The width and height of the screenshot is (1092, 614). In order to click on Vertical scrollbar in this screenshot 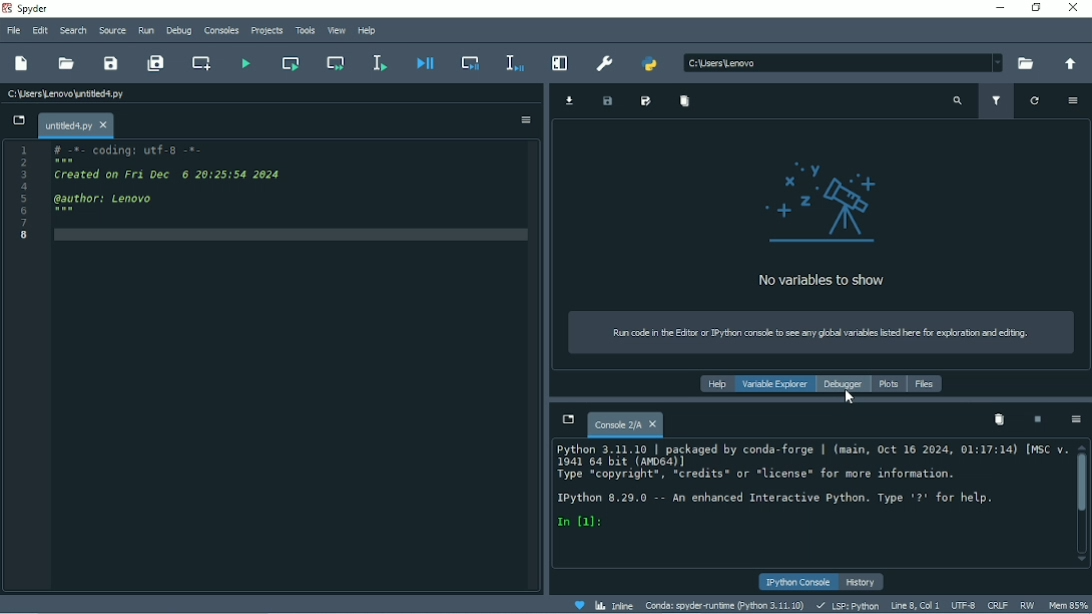, I will do `click(1082, 484)`.